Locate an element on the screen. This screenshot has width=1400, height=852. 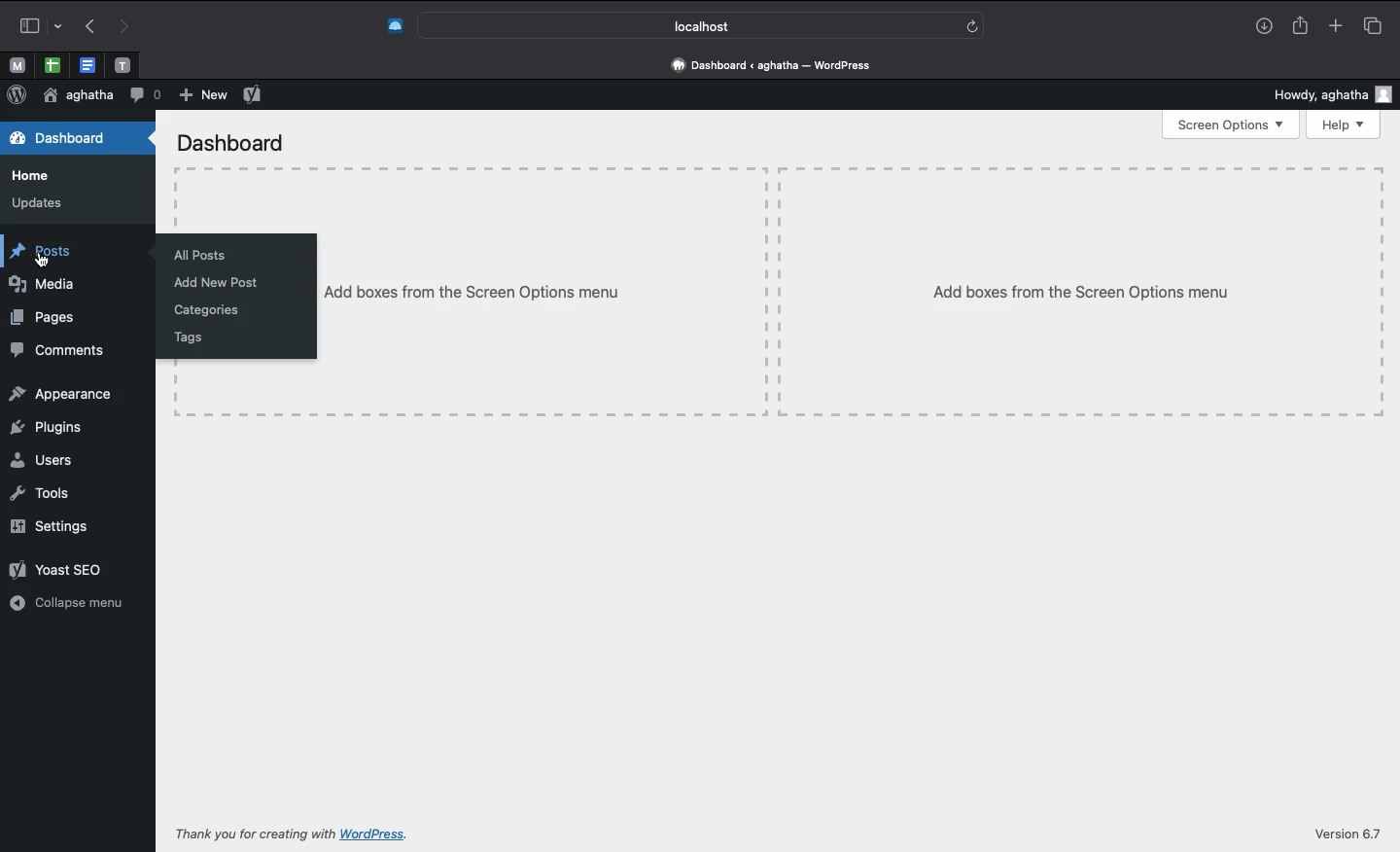
Extensions is located at coordinates (384, 27).